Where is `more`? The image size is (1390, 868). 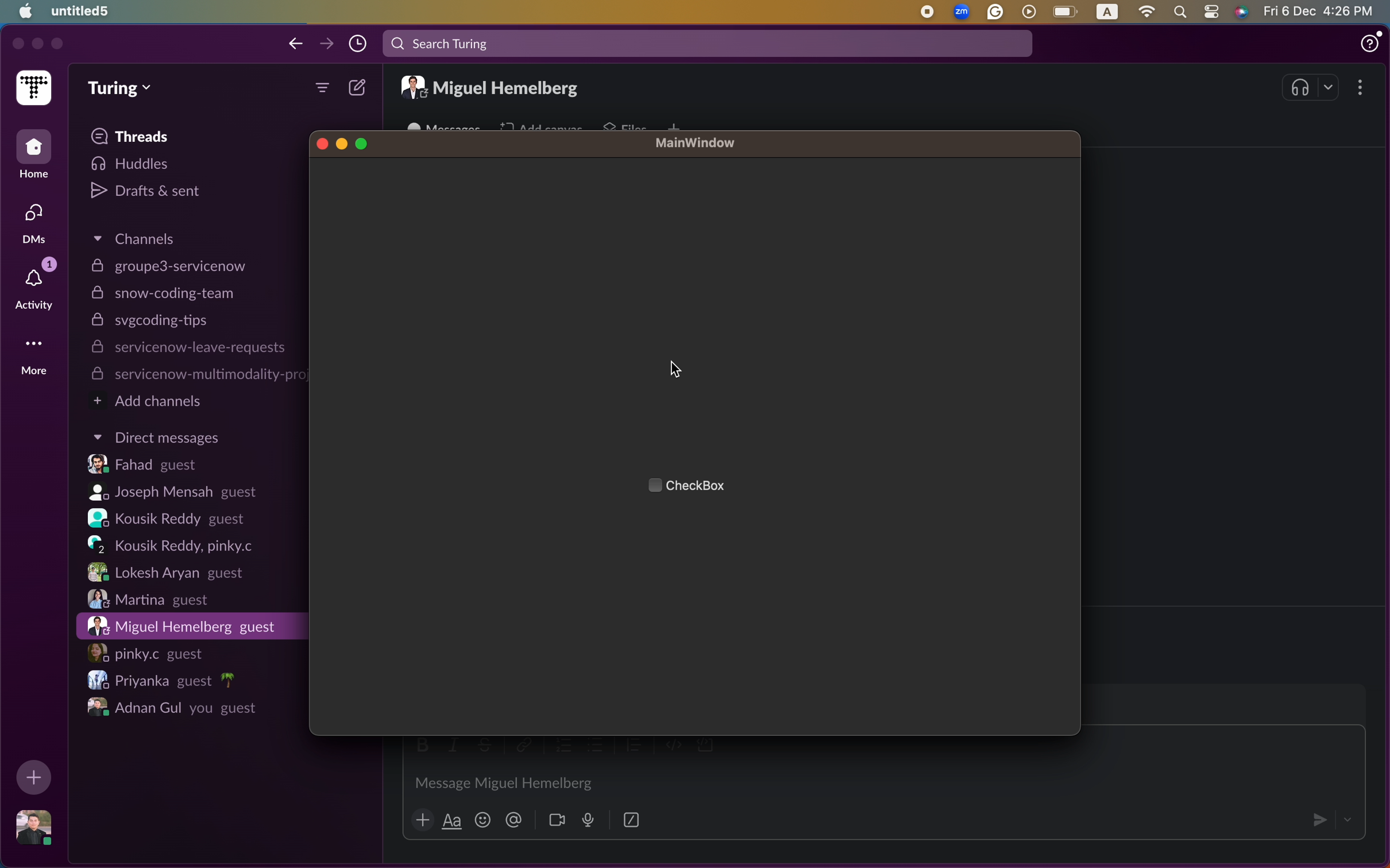
more is located at coordinates (322, 90).